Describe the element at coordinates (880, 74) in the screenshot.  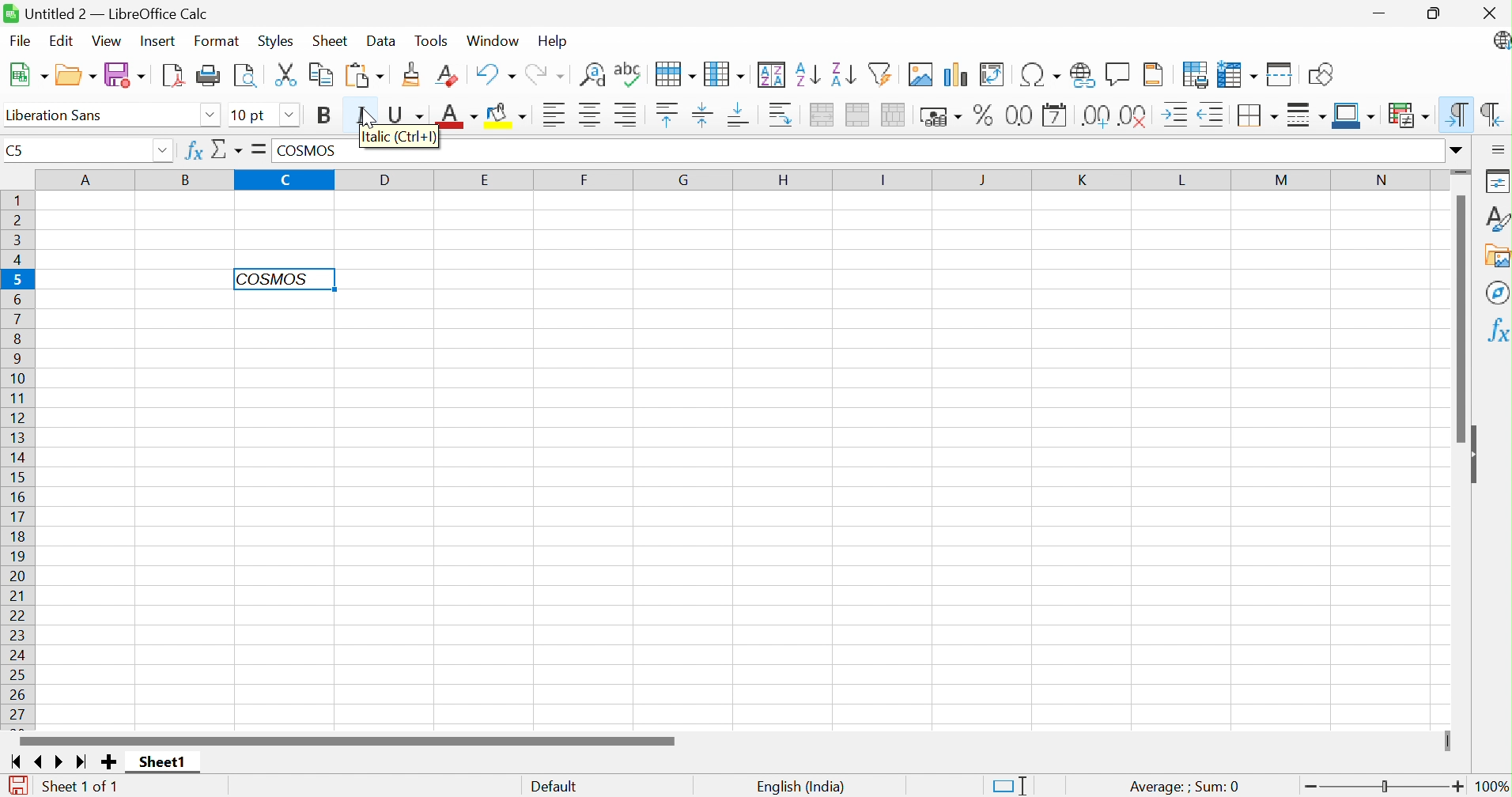
I see `Auto filter` at that location.